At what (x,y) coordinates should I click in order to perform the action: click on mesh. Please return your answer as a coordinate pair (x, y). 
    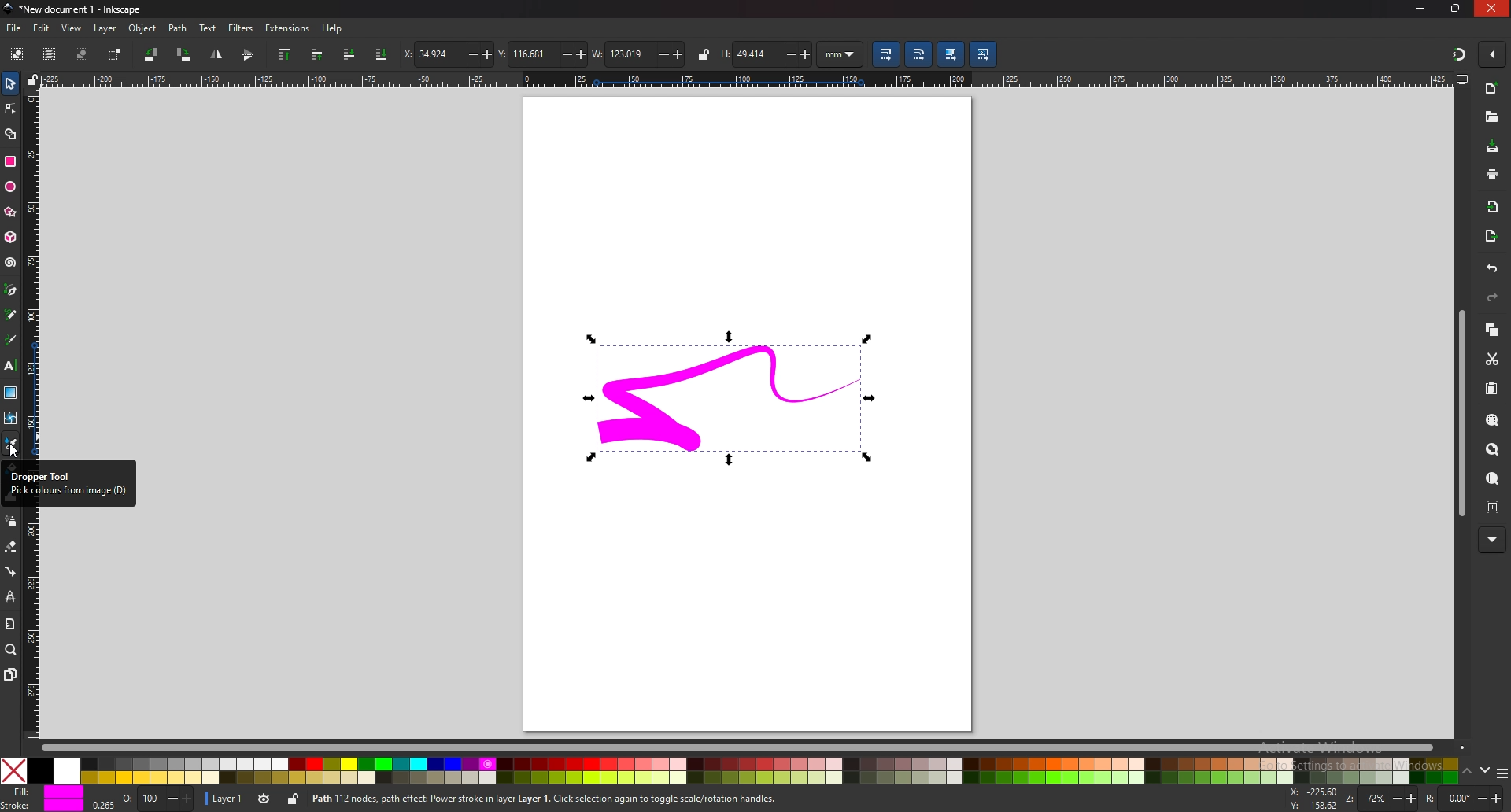
    Looking at the image, I should click on (11, 418).